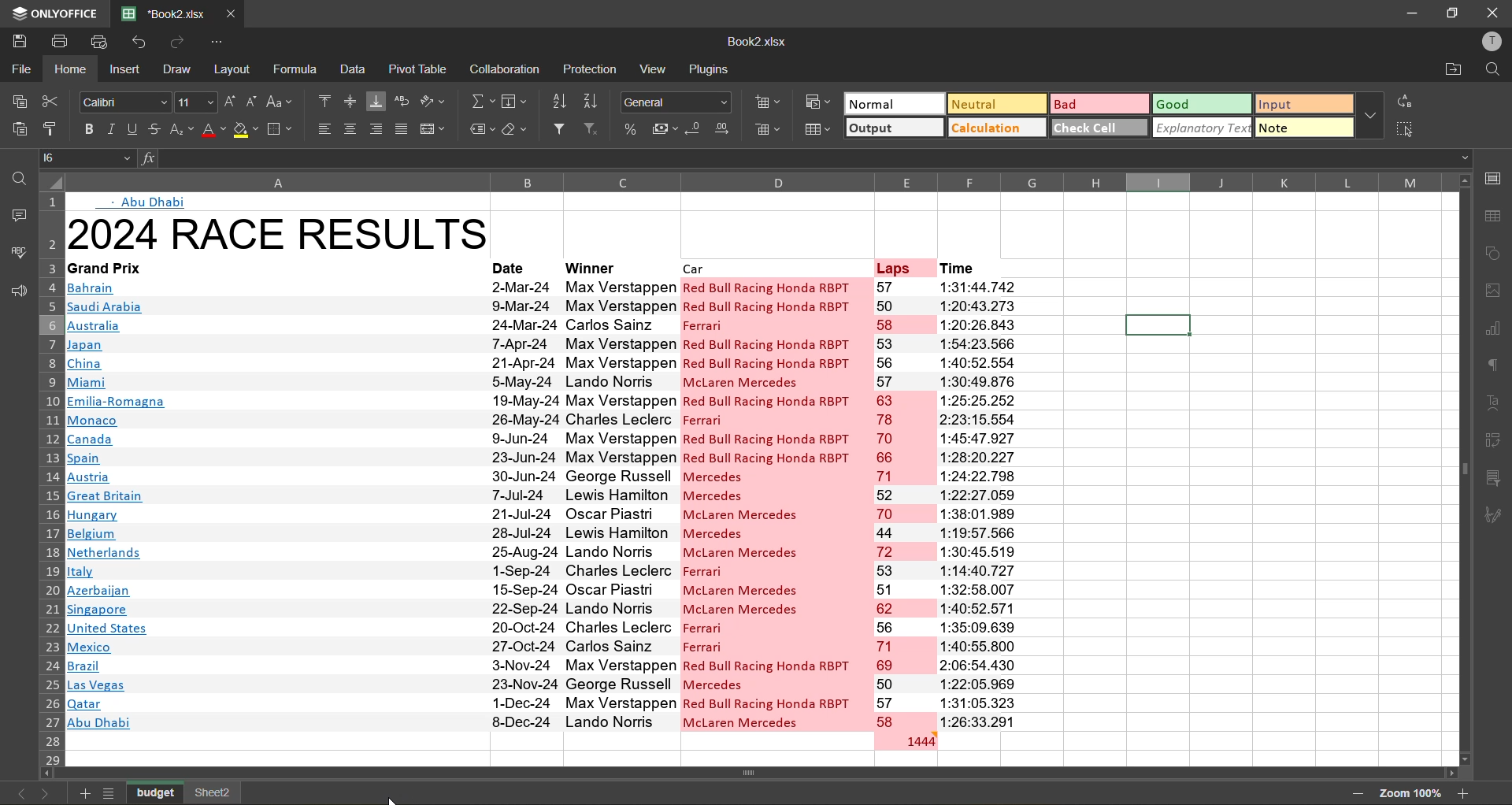 The image size is (1512, 805). I want to click on data, so click(354, 72).